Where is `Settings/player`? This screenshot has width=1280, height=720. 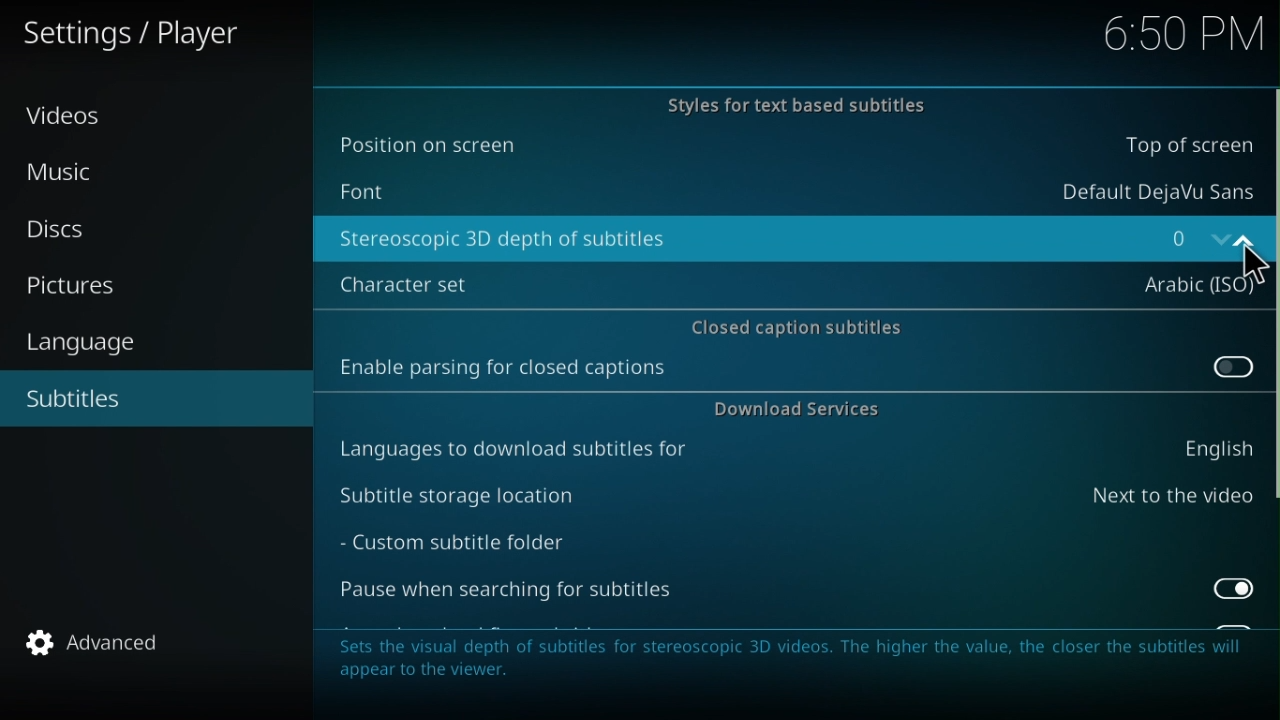 Settings/player is located at coordinates (154, 35).